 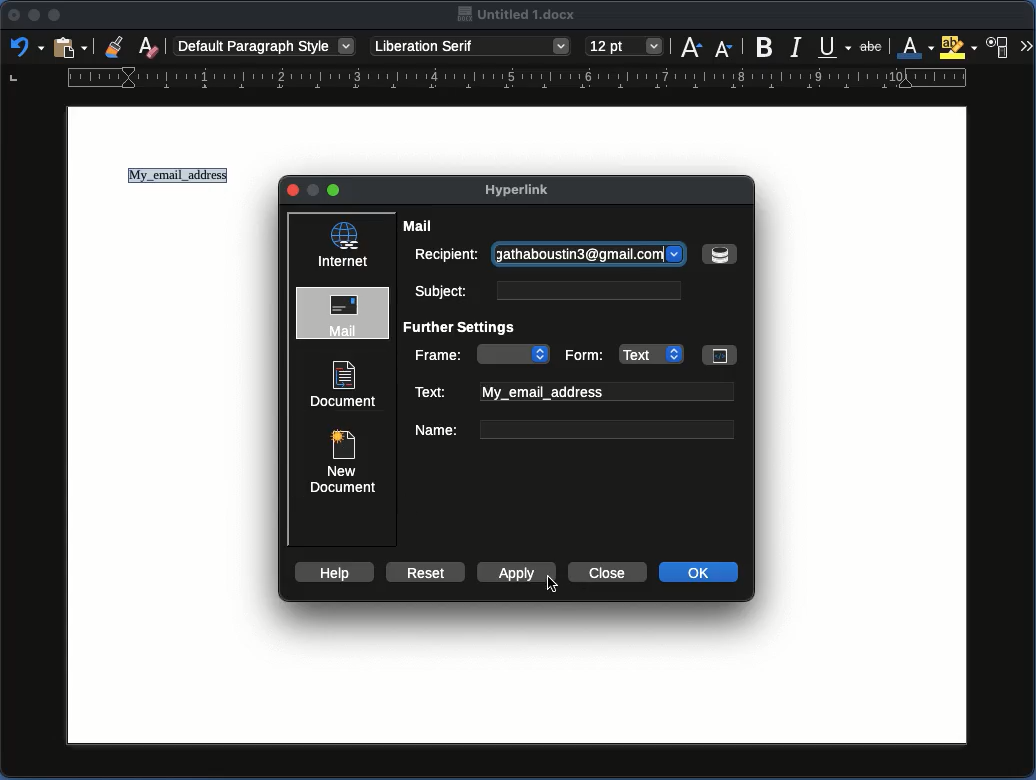 I want to click on Minimize, so click(x=335, y=190).